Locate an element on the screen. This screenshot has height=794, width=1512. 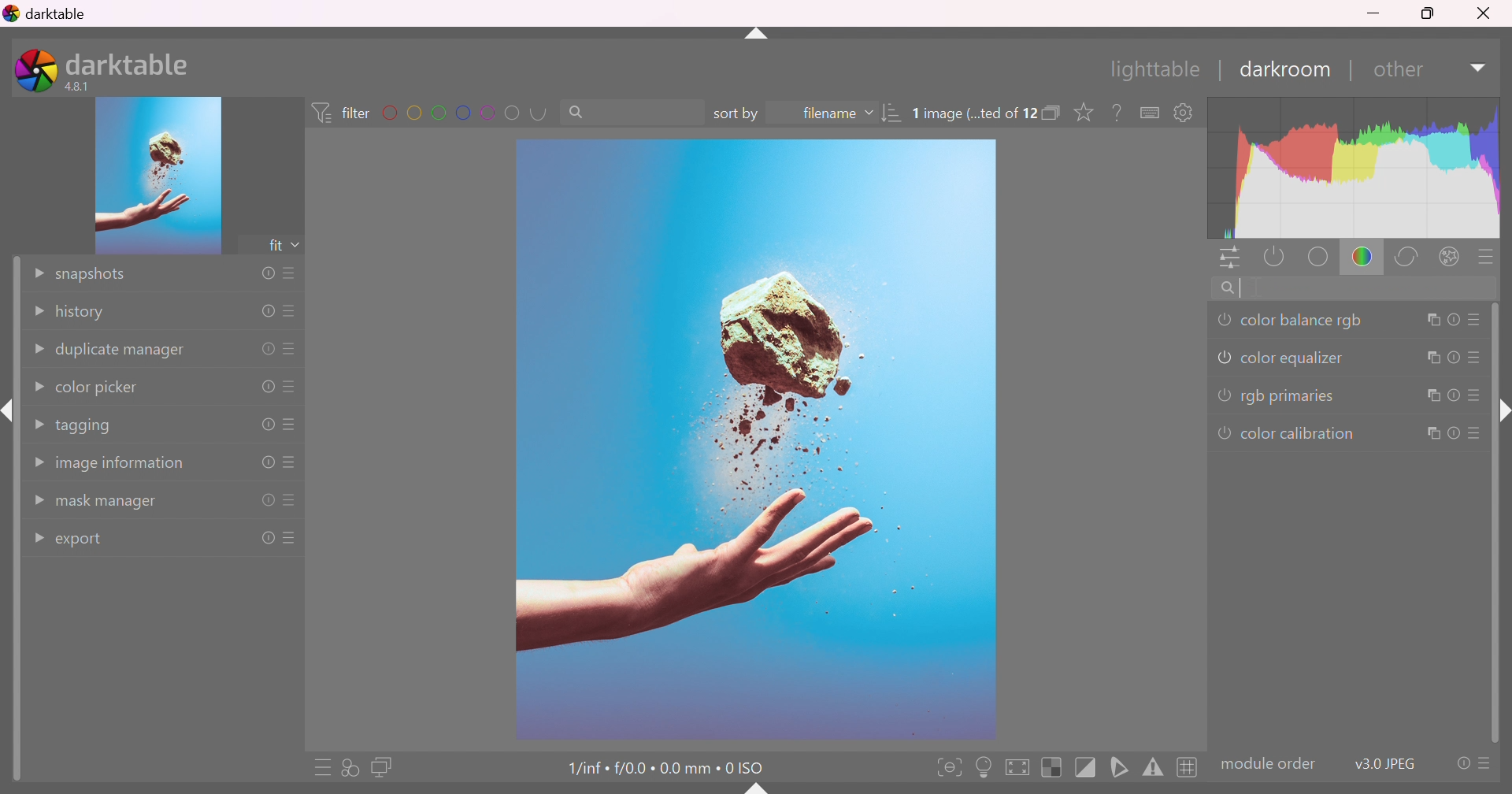
duplicate manager is located at coordinates (126, 350).